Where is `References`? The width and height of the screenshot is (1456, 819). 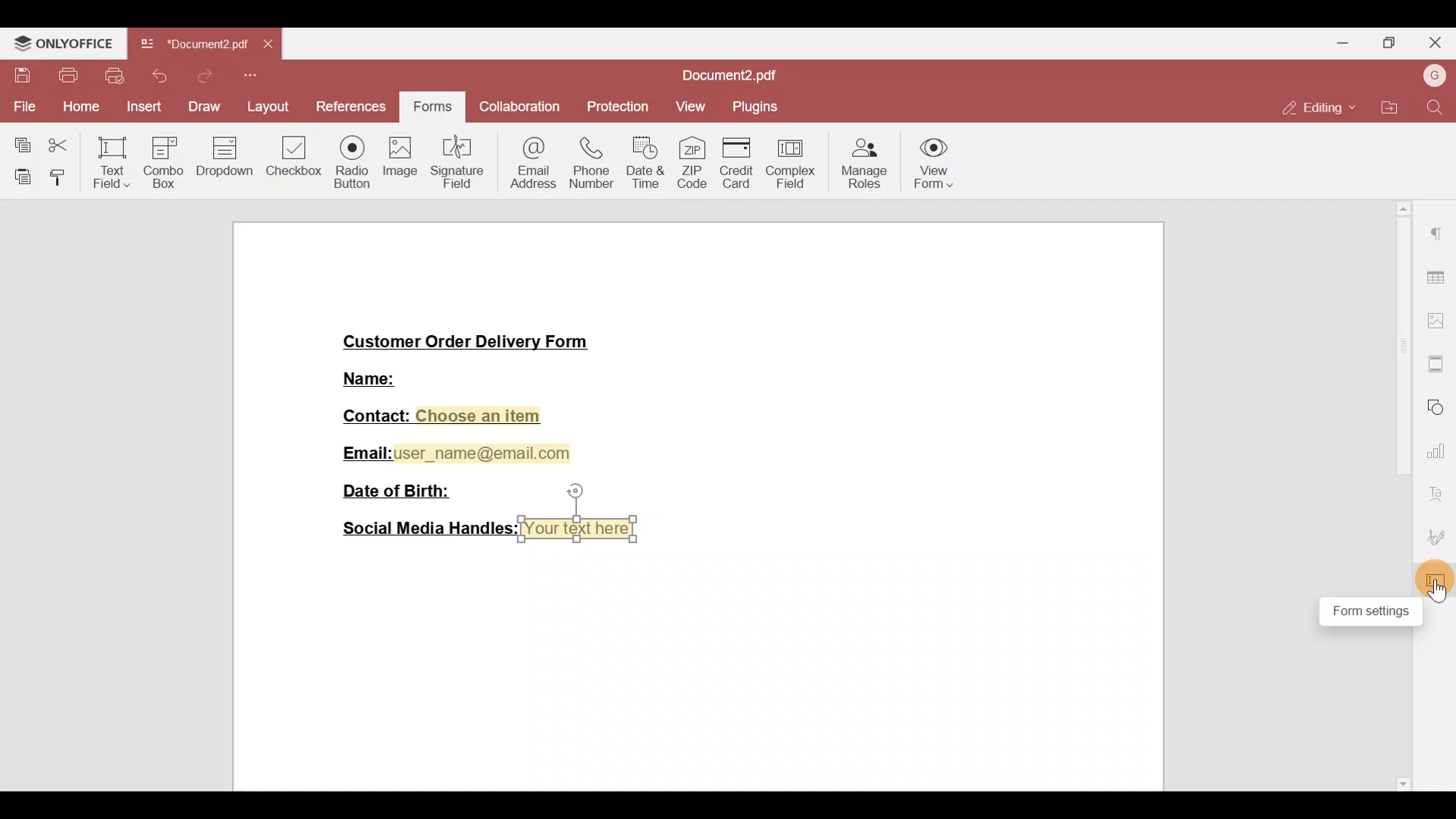 References is located at coordinates (349, 105).